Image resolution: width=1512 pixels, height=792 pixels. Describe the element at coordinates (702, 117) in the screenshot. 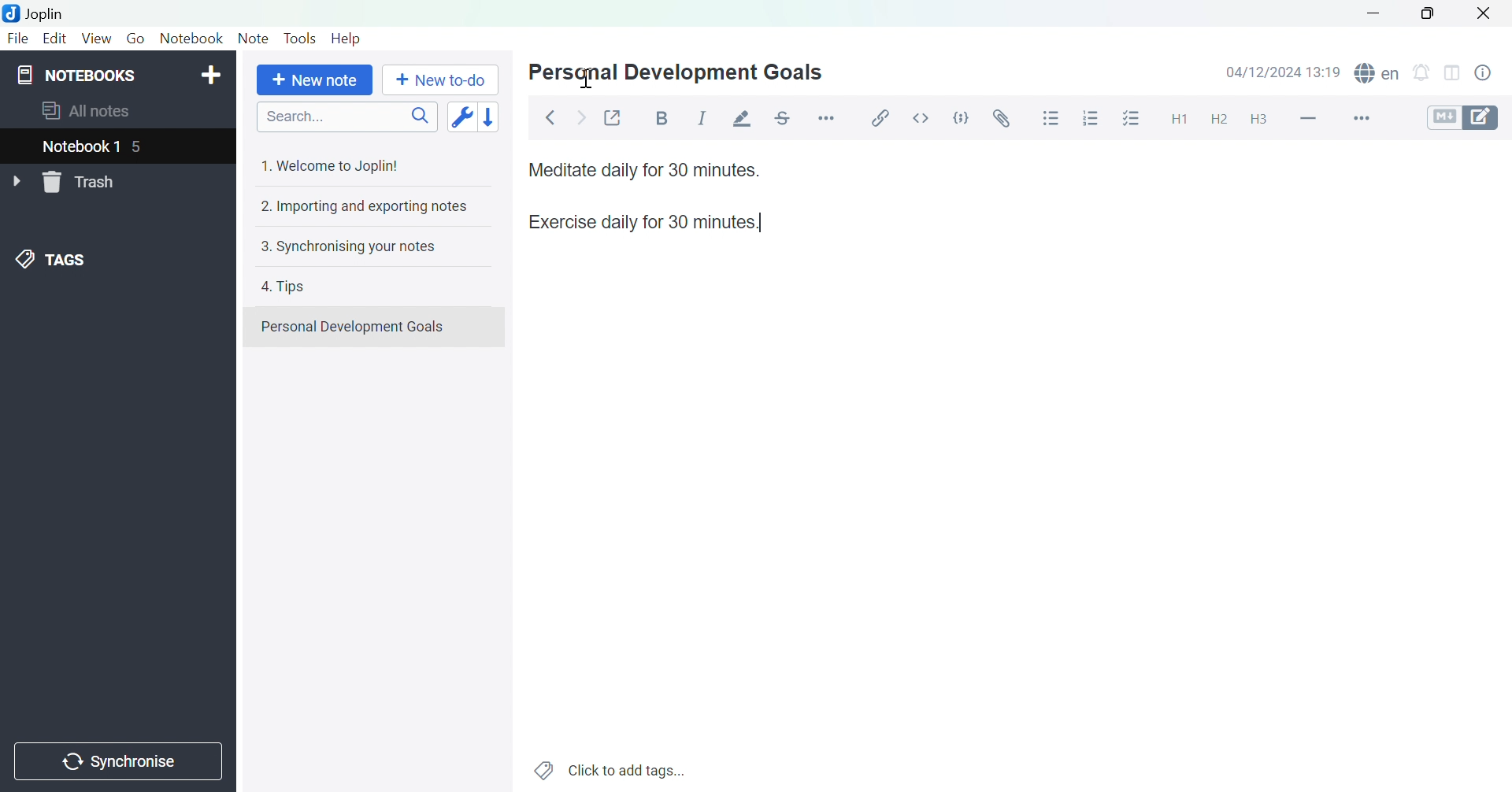

I see `Italic` at that location.